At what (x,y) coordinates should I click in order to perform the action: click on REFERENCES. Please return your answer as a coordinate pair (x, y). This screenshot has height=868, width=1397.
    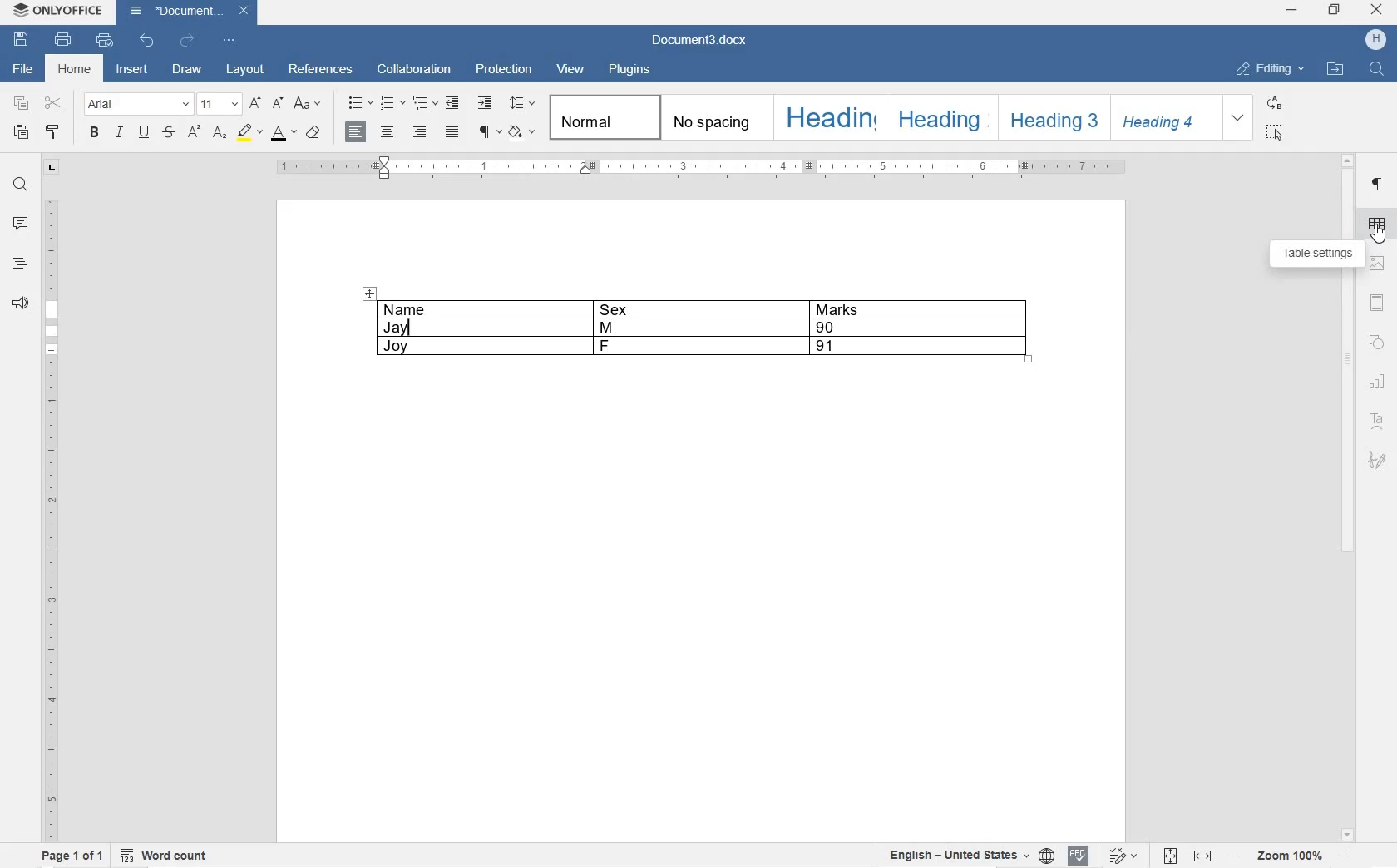
    Looking at the image, I should click on (322, 69).